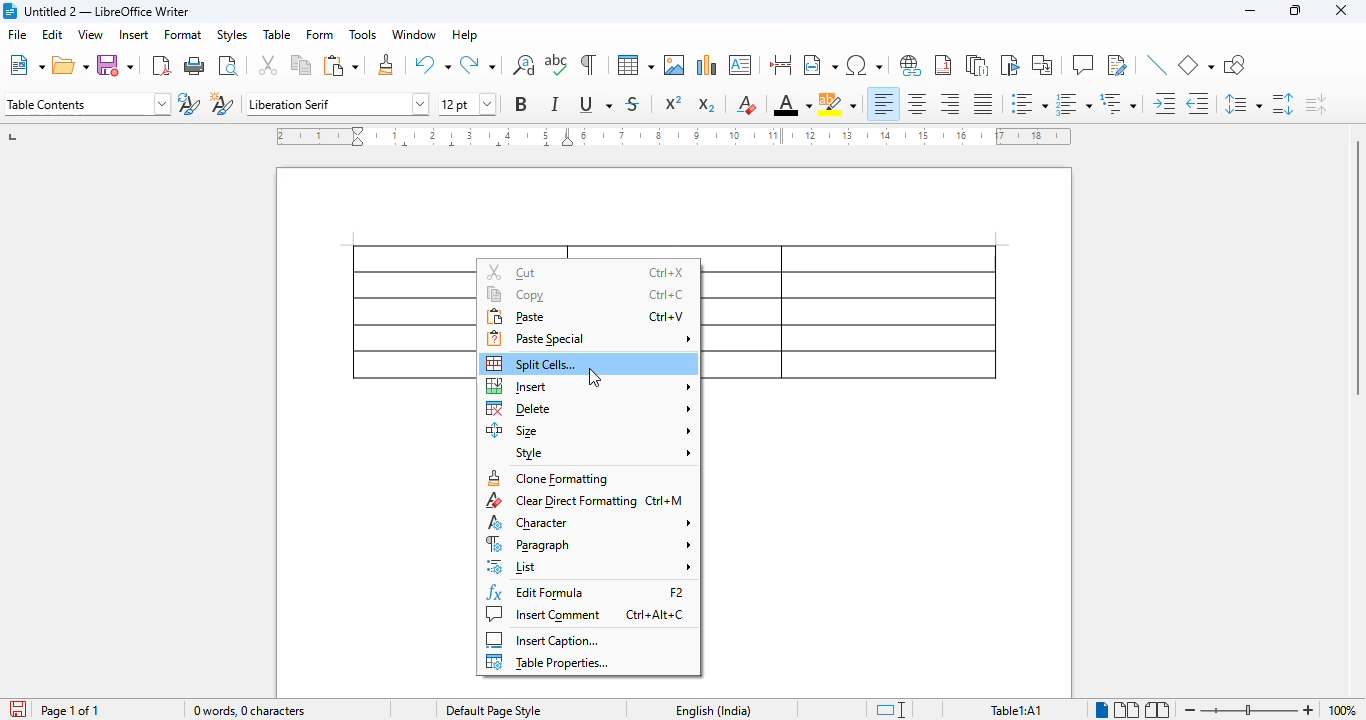 The height and width of the screenshot is (720, 1366). I want to click on edit, so click(52, 34).